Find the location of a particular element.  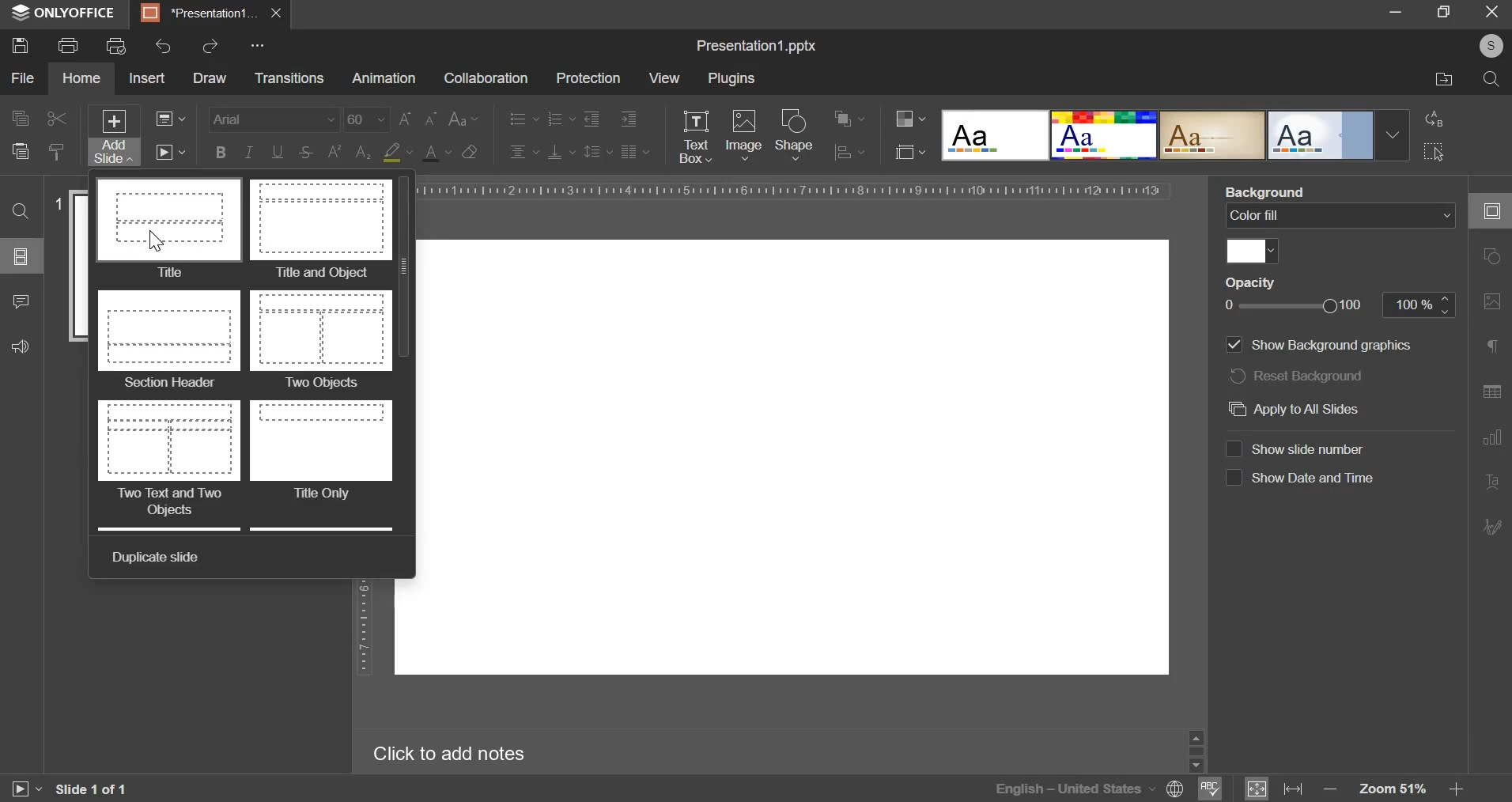

select is located at coordinates (1435, 151).